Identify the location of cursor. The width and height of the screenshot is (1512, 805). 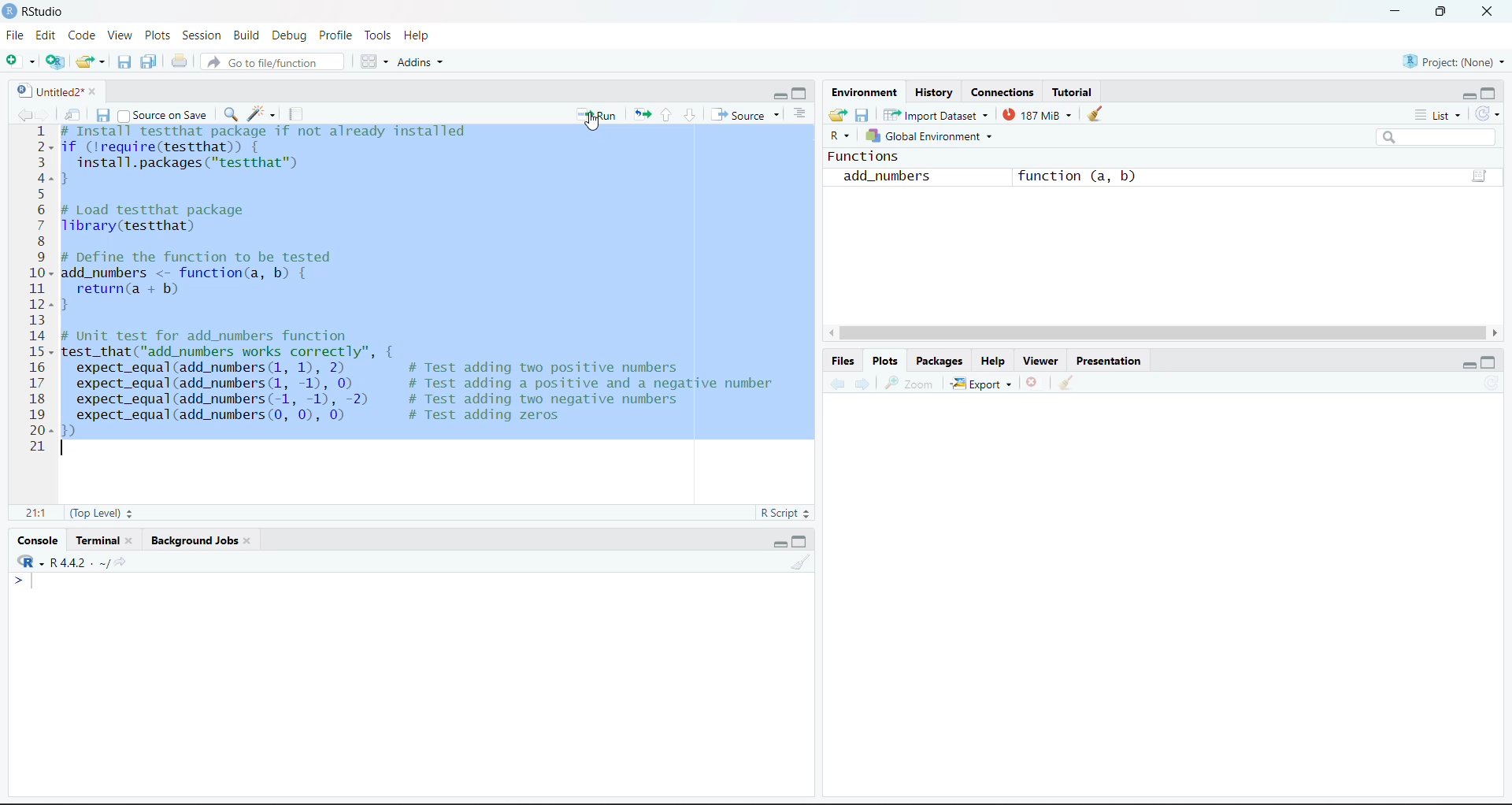
(595, 122).